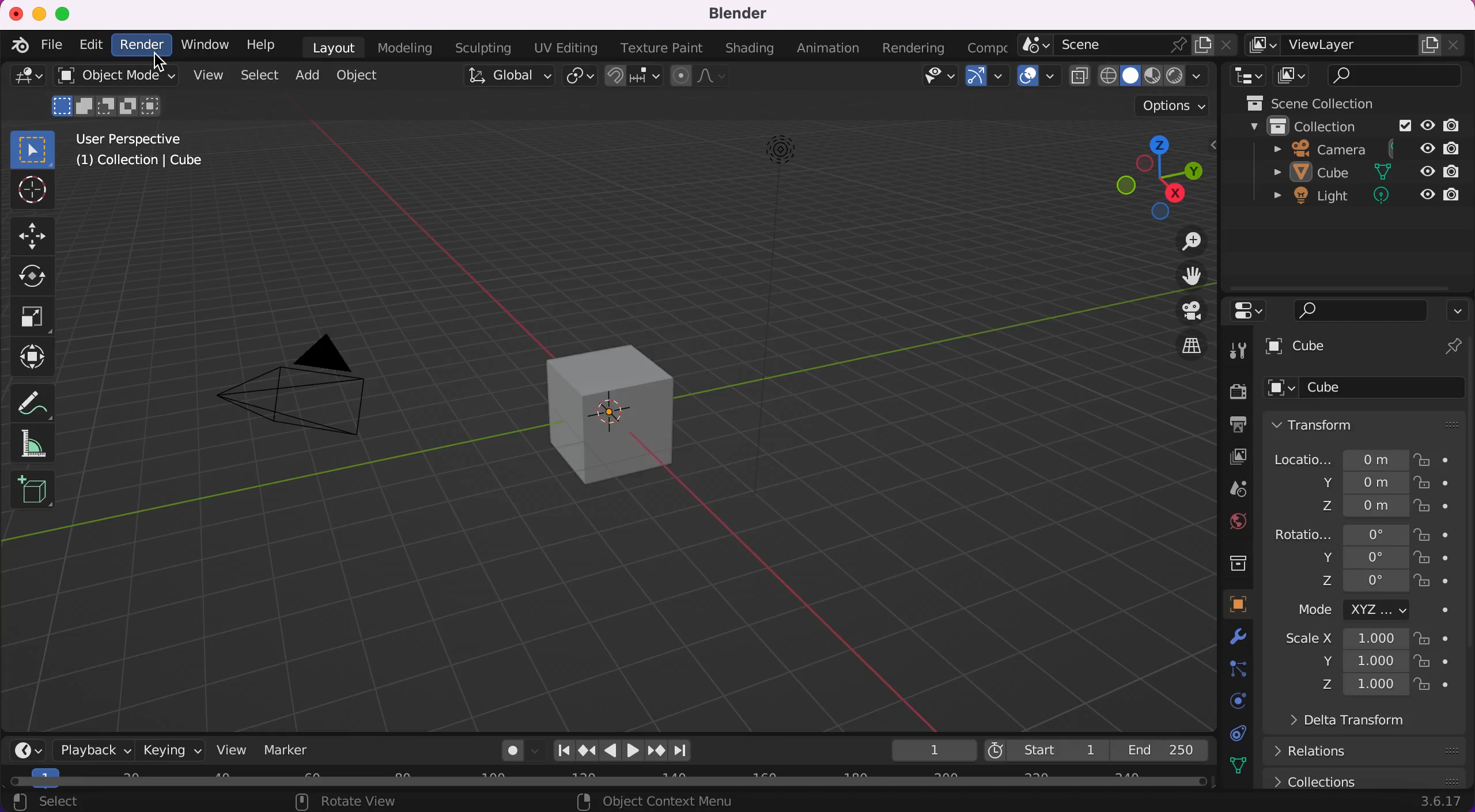 Image resolution: width=1475 pixels, height=812 pixels. I want to click on lock, so click(1436, 557).